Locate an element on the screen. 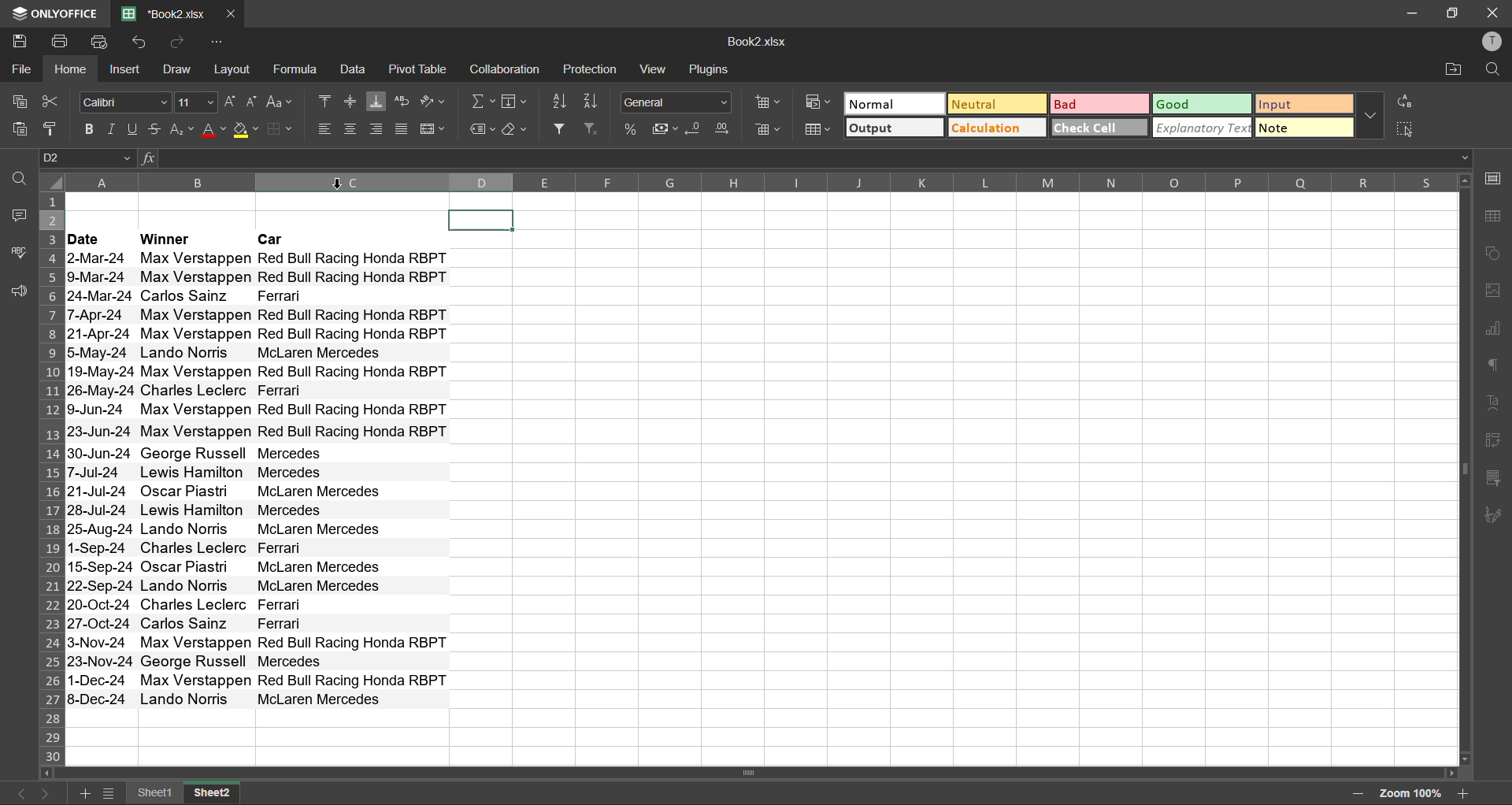 The image size is (1512, 805). fx is located at coordinates (146, 159).